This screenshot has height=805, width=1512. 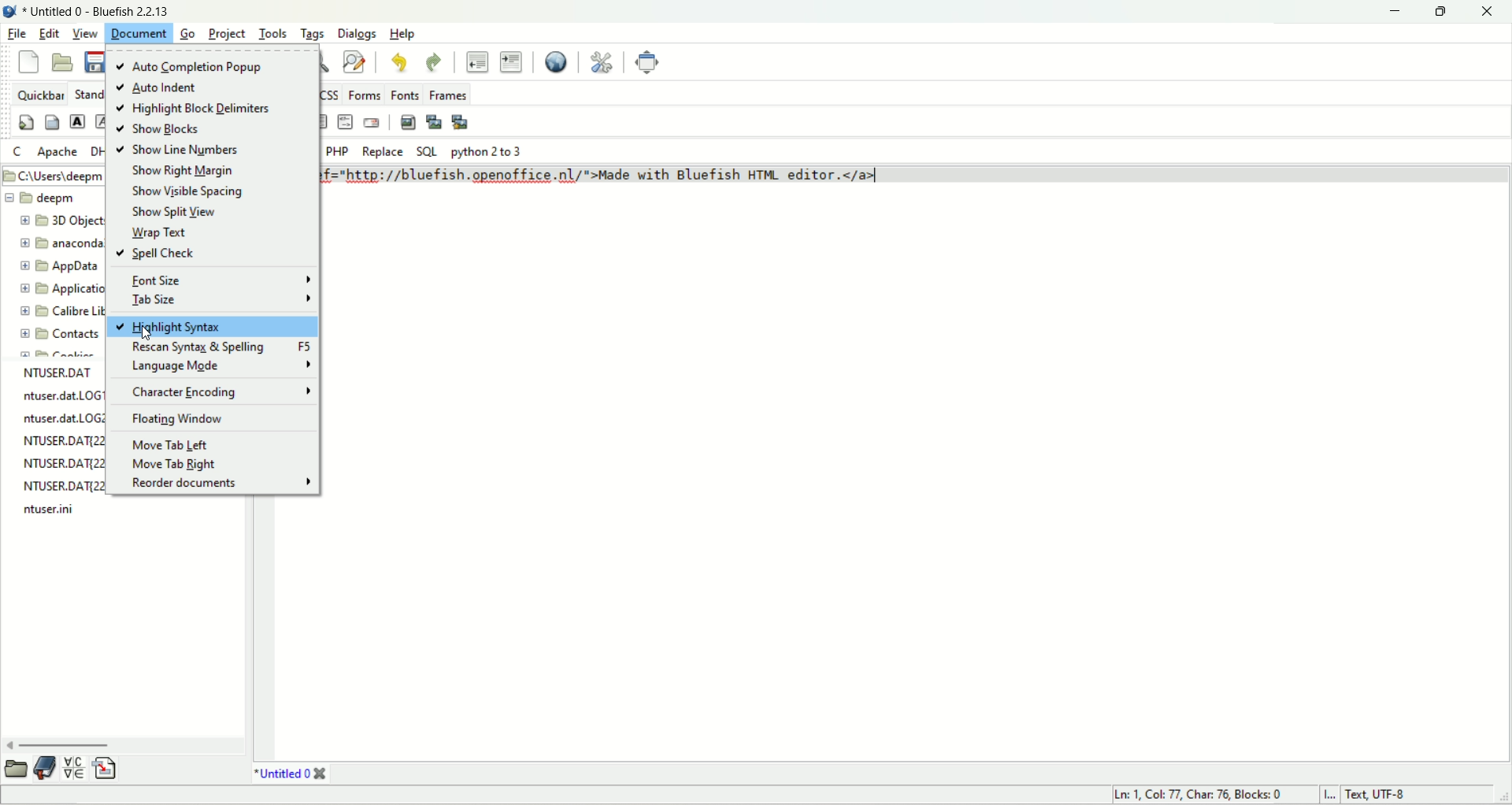 I want to click on anaconda, so click(x=59, y=243).